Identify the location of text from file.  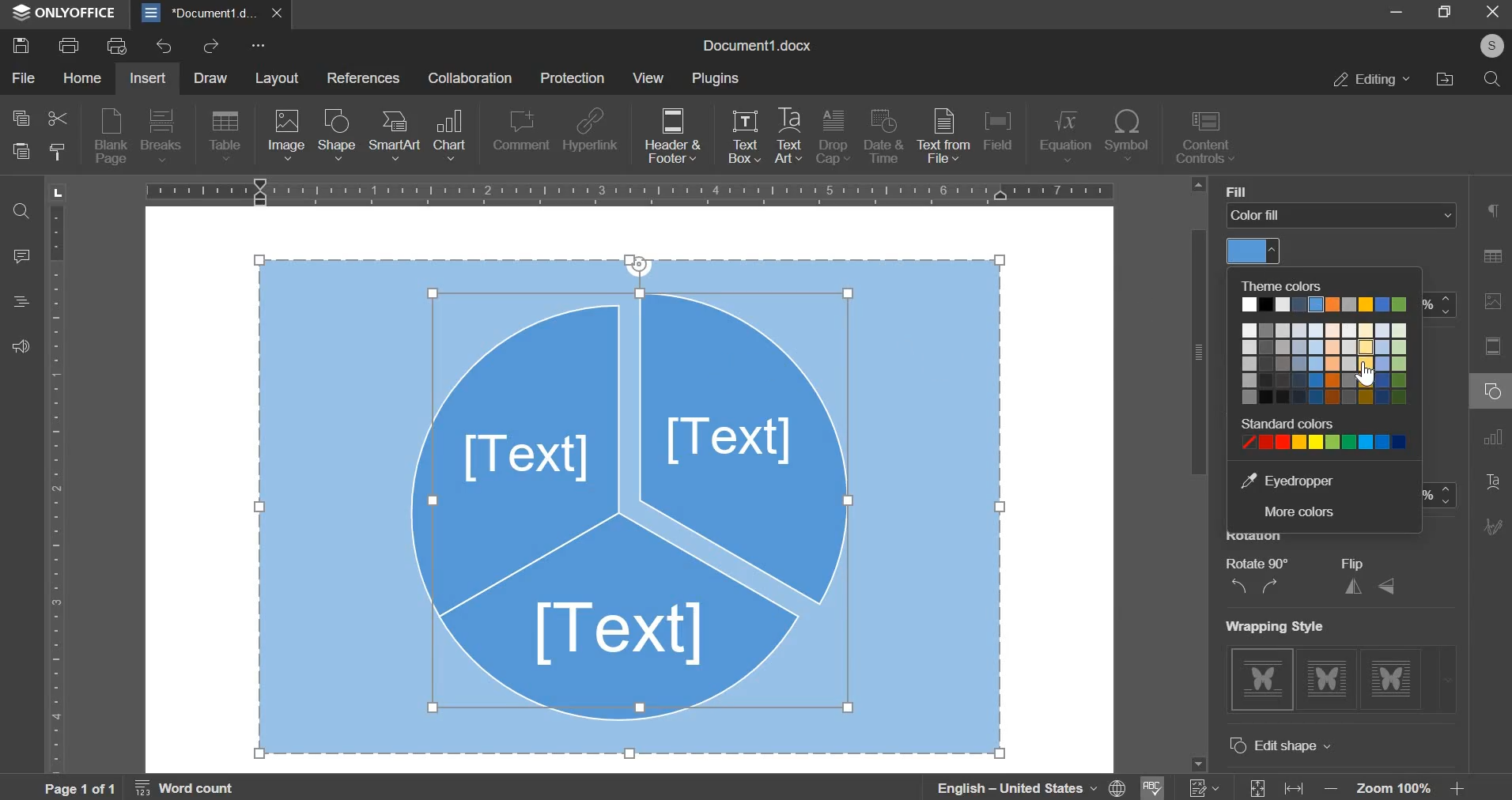
(943, 136).